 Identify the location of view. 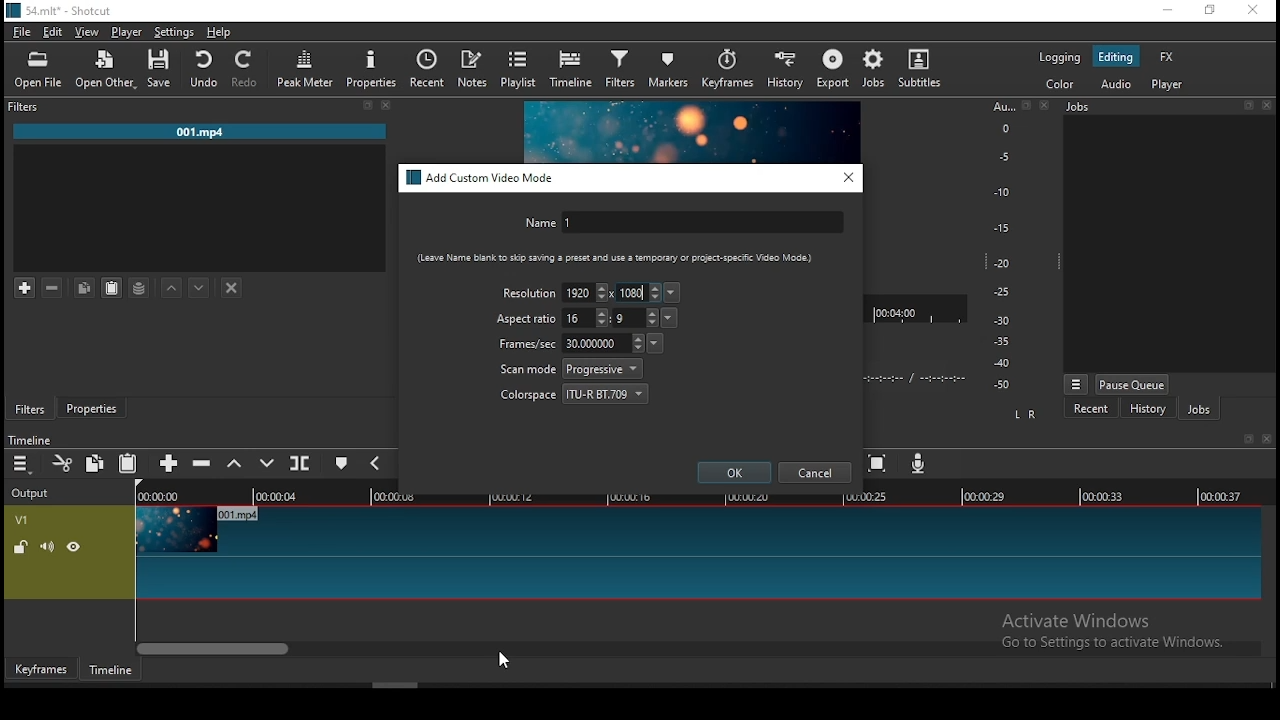
(89, 34).